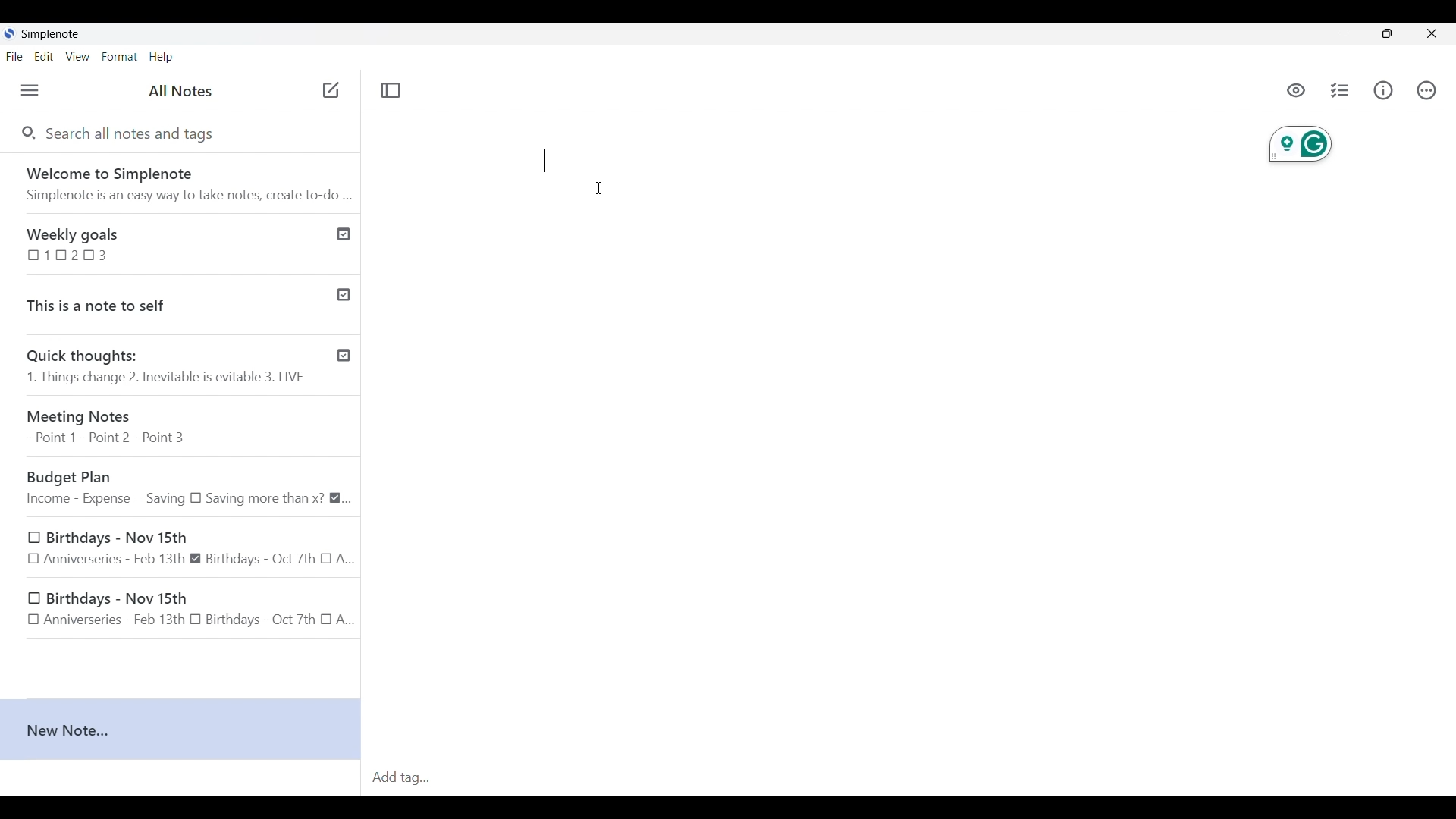 The width and height of the screenshot is (1456, 819). I want to click on This is a note to self, so click(162, 302).